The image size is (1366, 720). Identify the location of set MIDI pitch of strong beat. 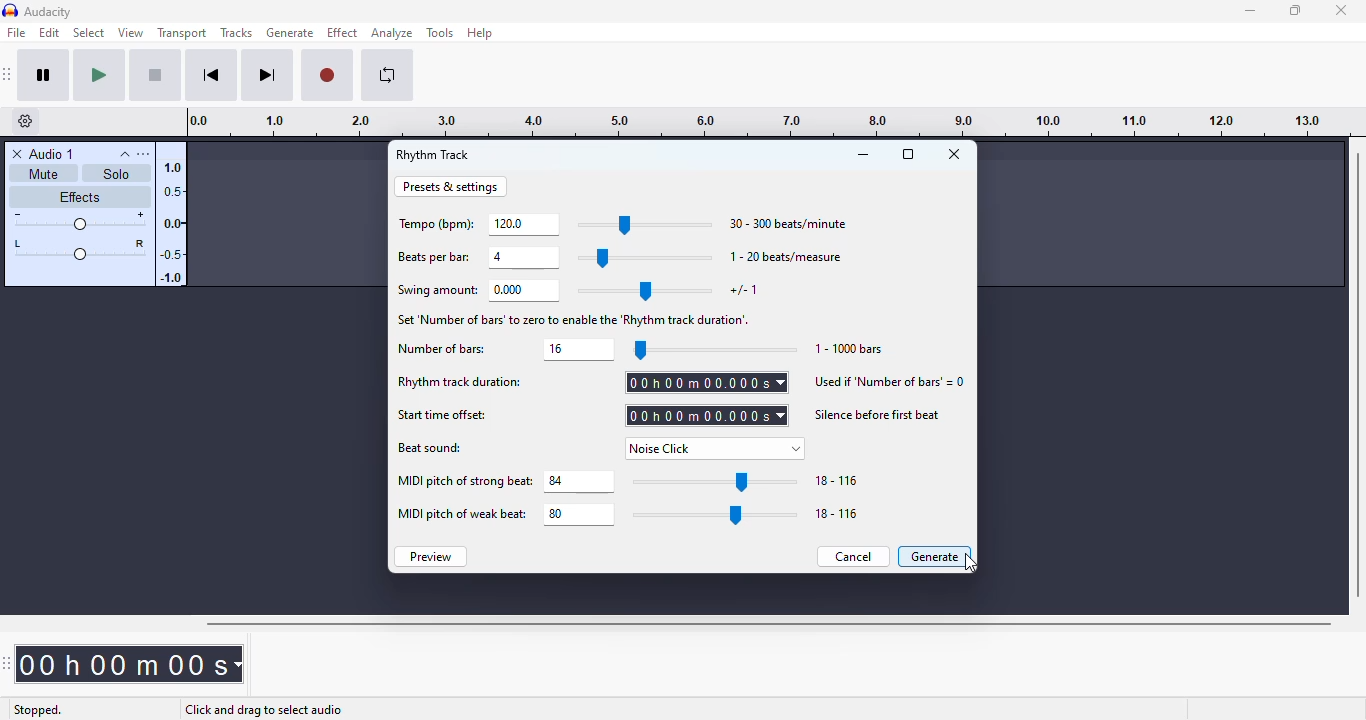
(581, 482).